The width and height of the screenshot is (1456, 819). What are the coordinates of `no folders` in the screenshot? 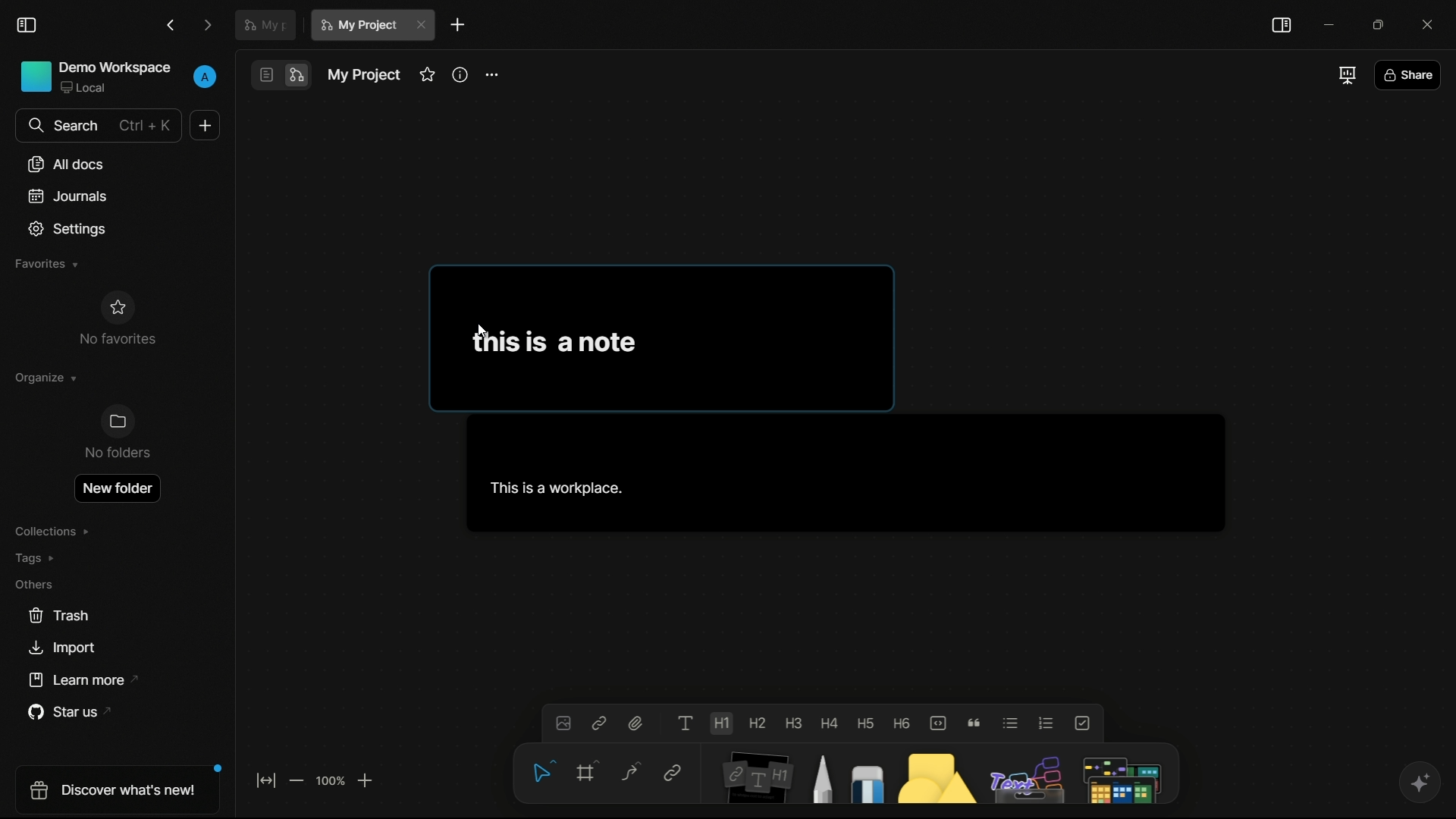 It's located at (118, 433).